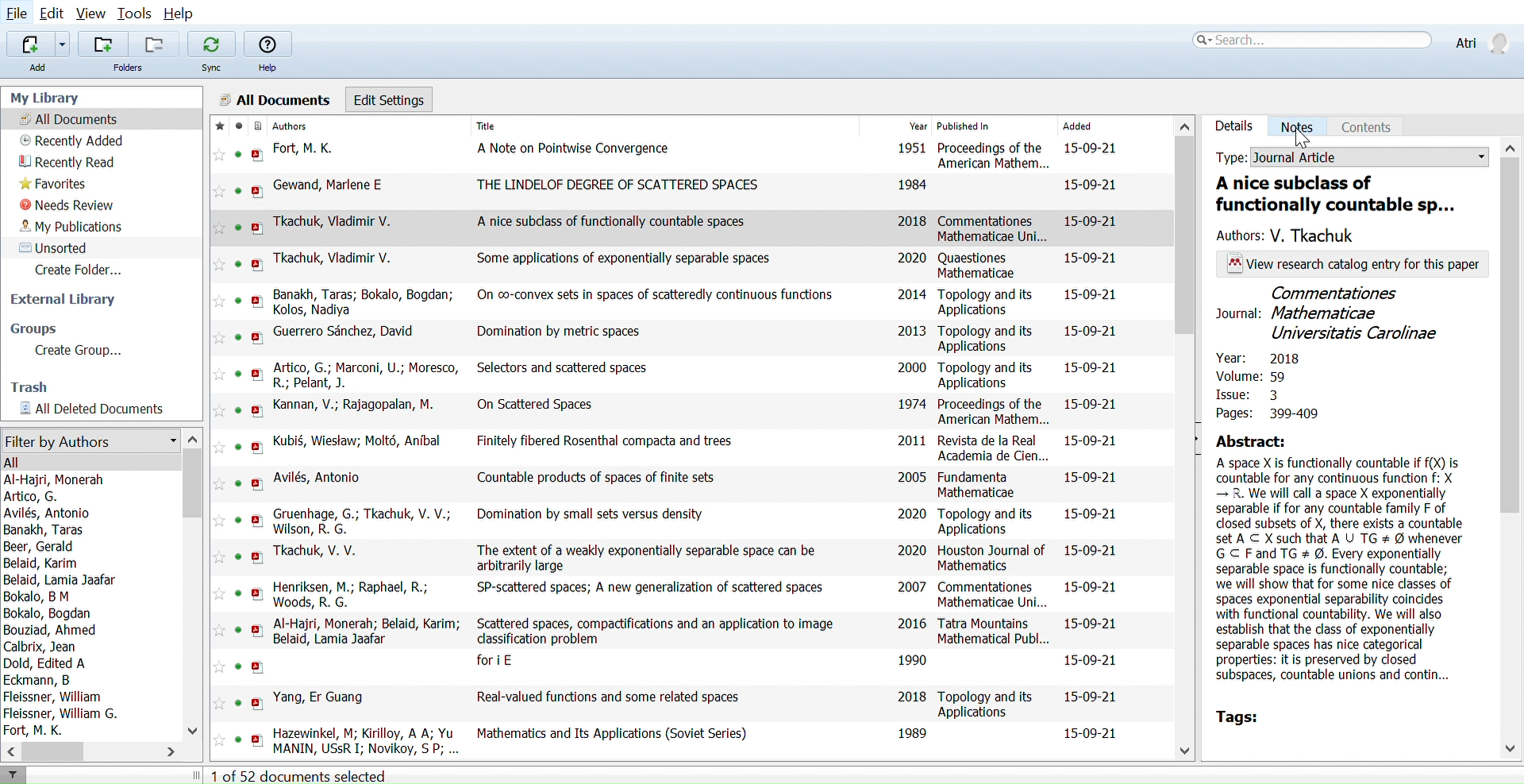  I want to click on 15-09-21, so click(1090, 186).